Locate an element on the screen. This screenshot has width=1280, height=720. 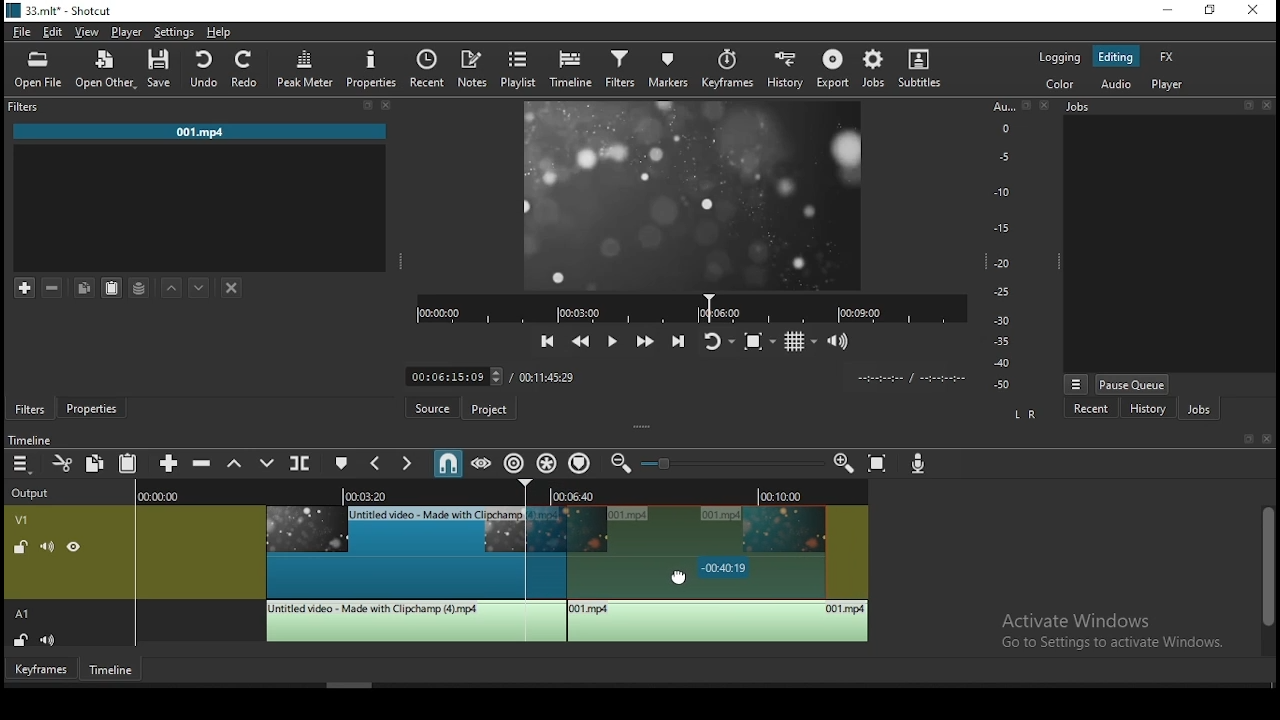
video progress bar is located at coordinates (691, 307).